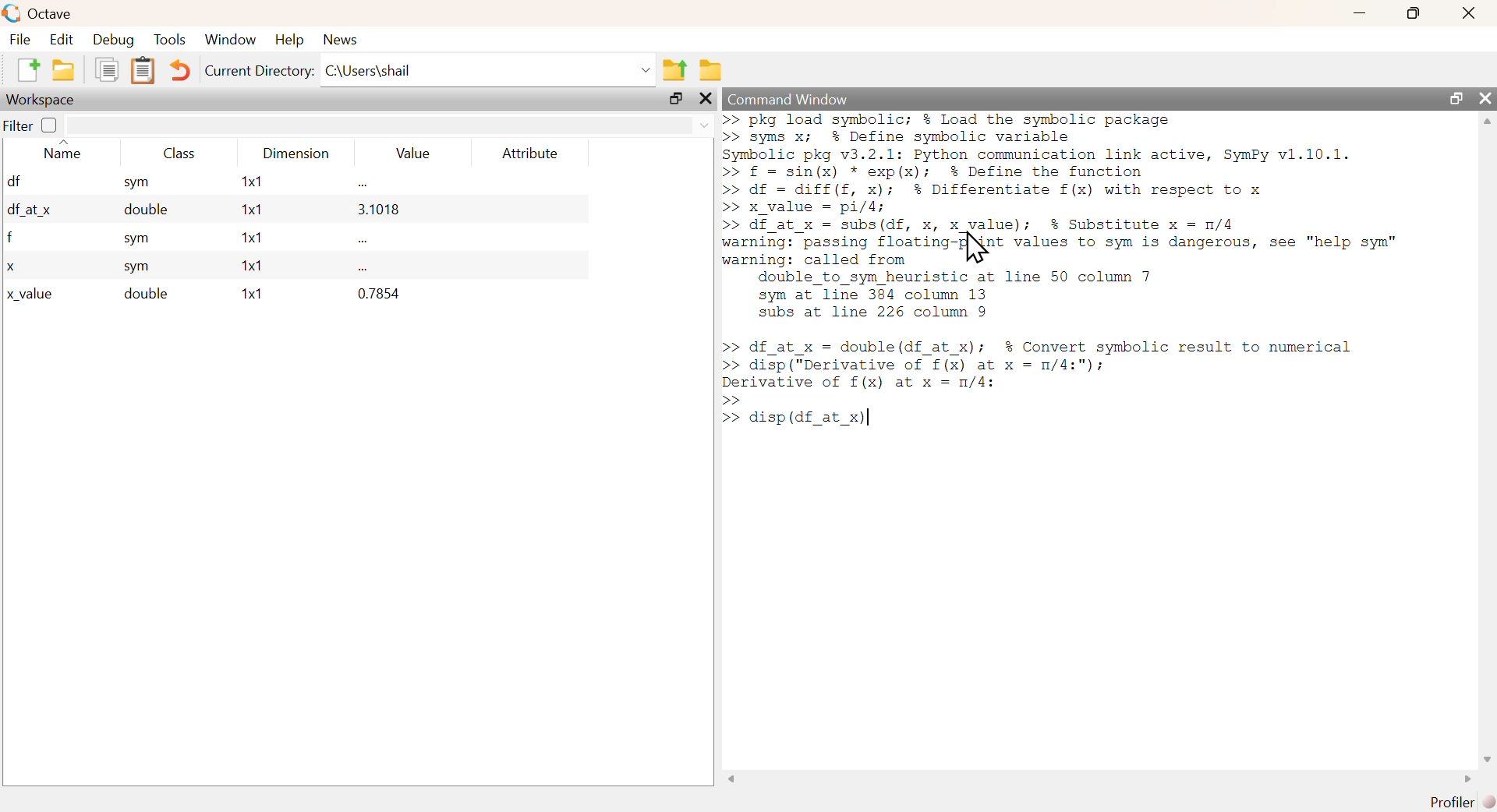 Image resolution: width=1497 pixels, height=812 pixels. Describe the element at coordinates (1455, 97) in the screenshot. I see `maximize` at that location.